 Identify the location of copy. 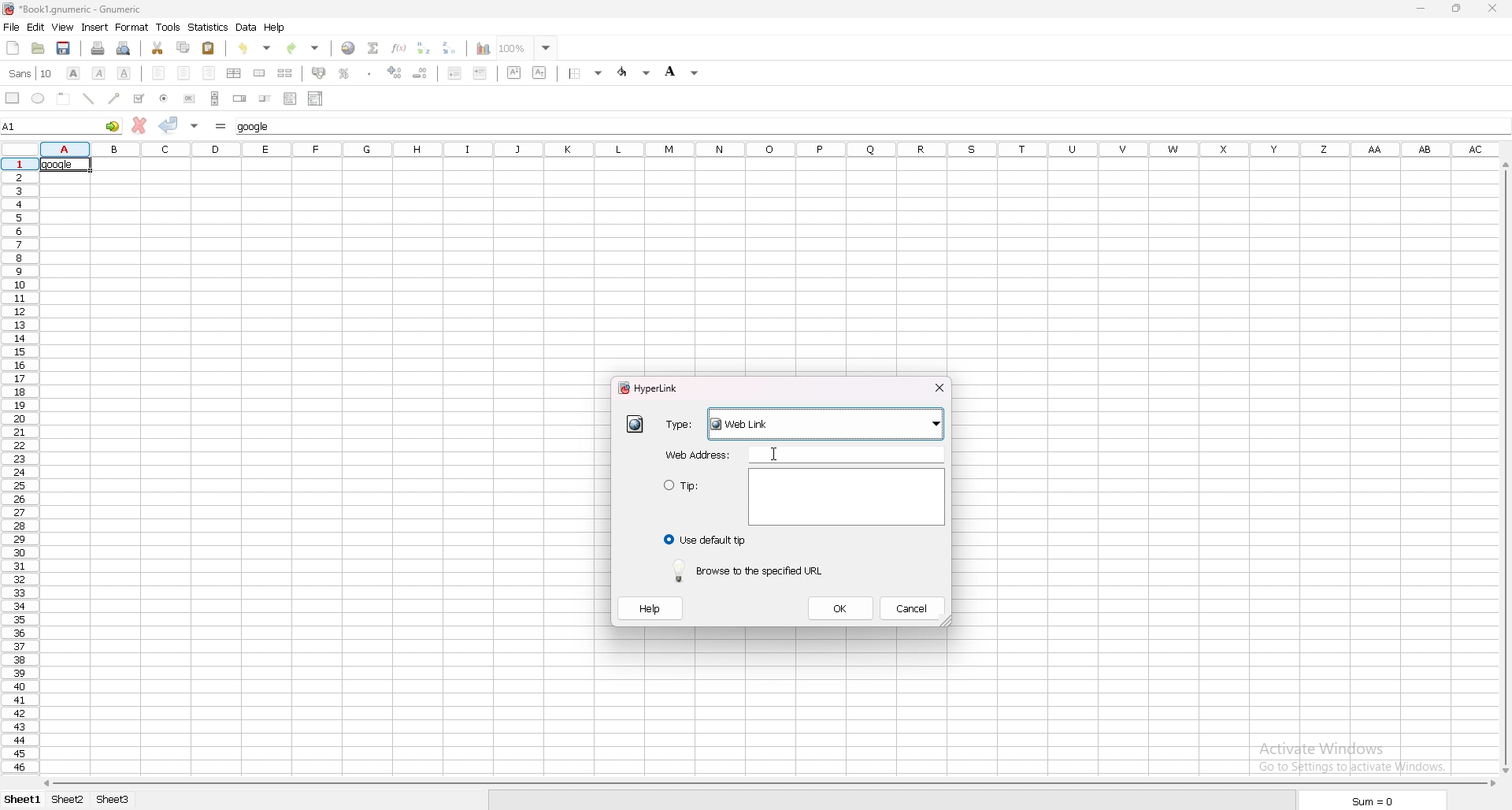
(183, 47).